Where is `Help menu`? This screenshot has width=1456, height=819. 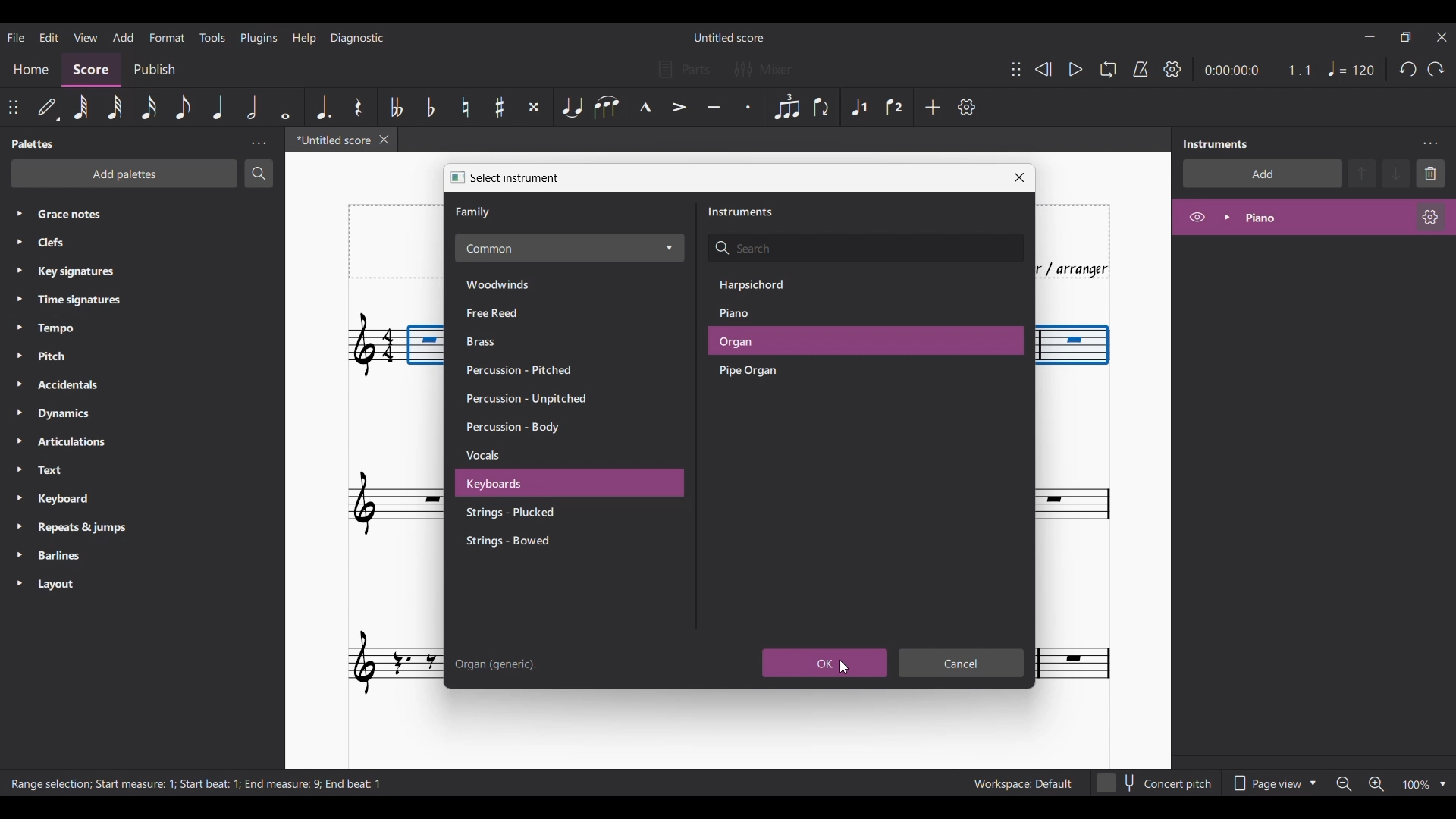
Help menu is located at coordinates (306, 38).